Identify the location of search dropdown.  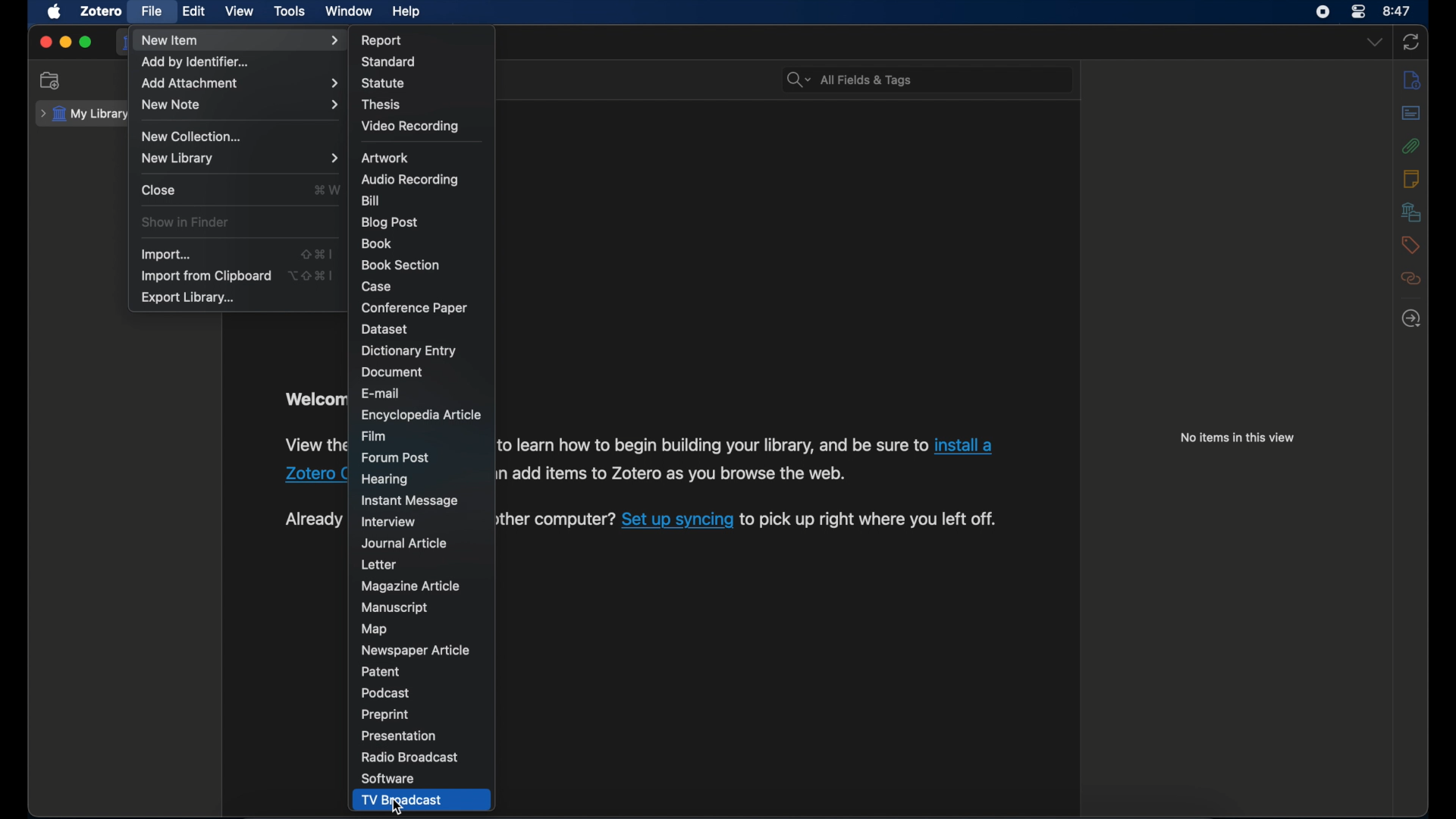
(798, 80).